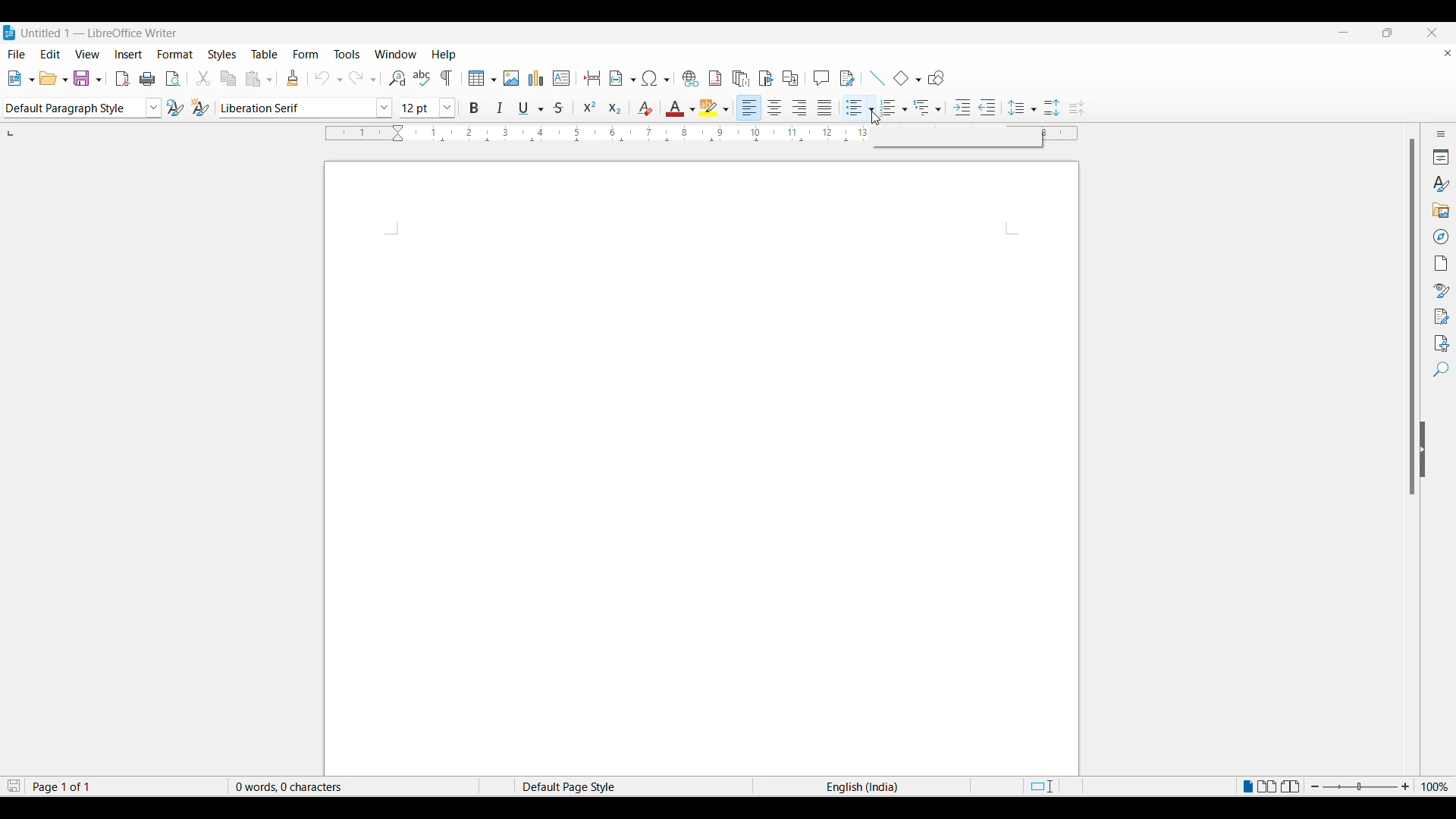  What do you see at coordinates (328, 79) in the screenshot?
I see `undo` at bounding box center [328, 79].